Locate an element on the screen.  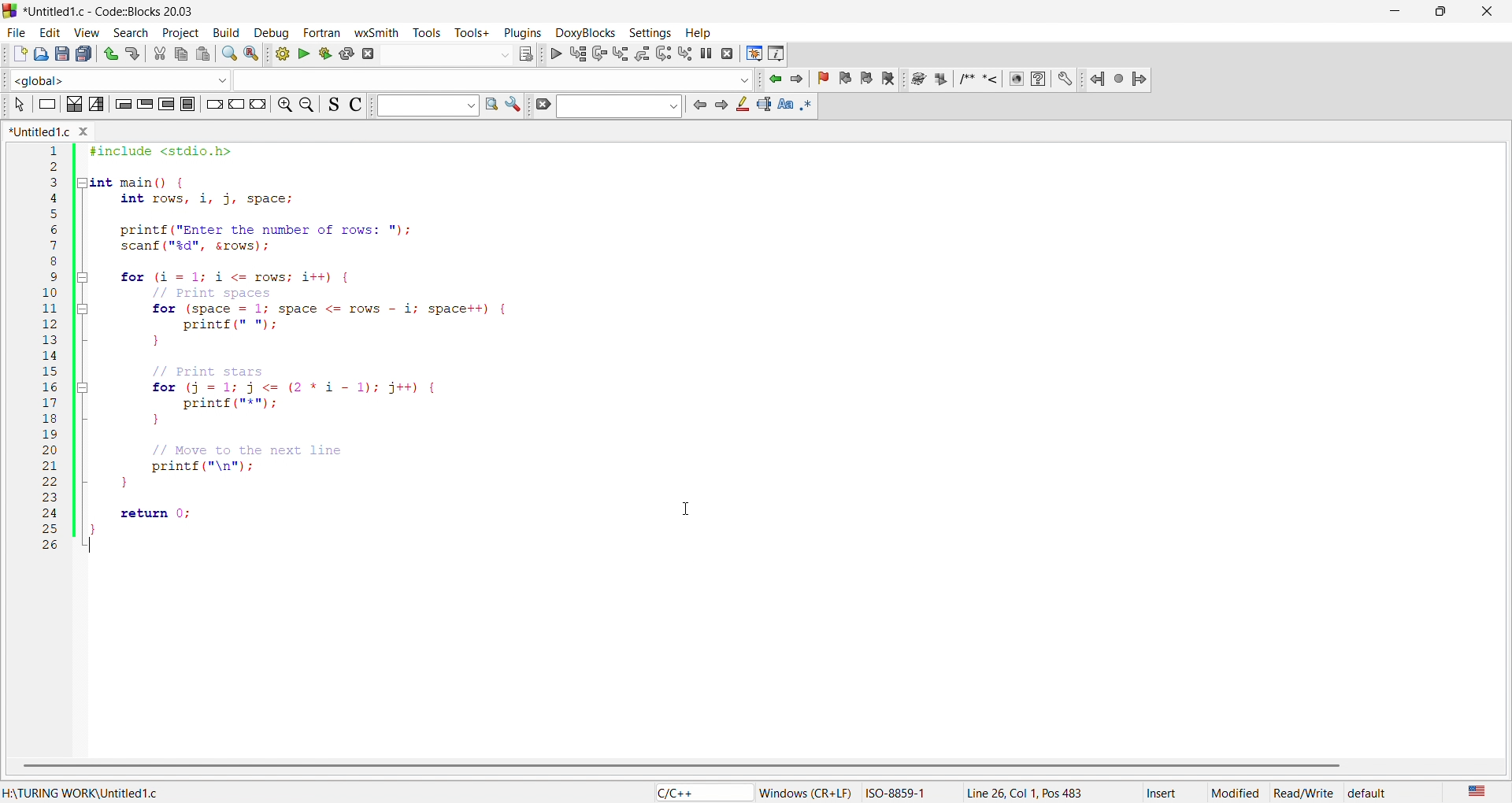
debug is located at coordinates (272, 31).